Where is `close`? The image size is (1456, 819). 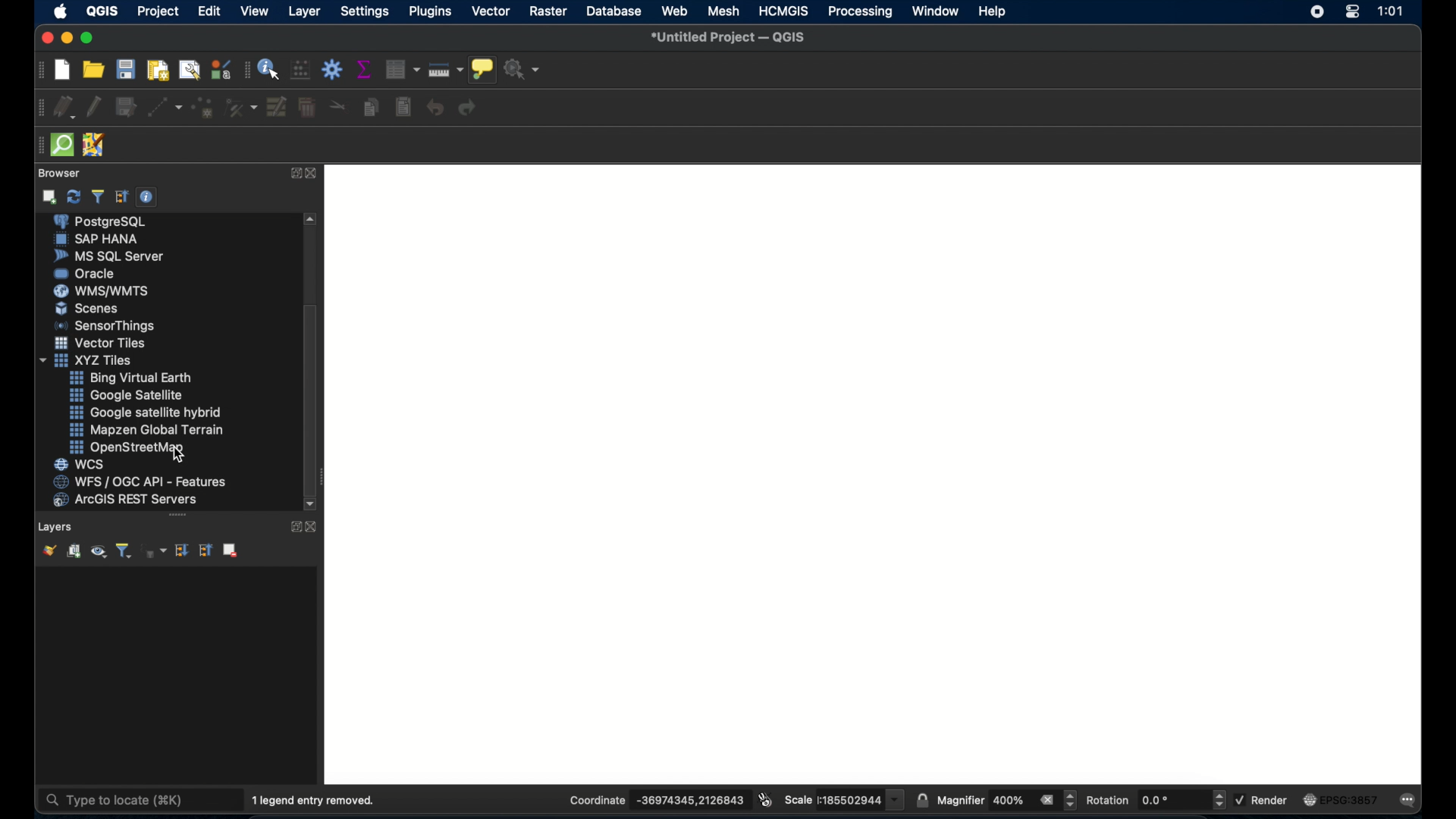 close is located at coordinates (315, 527).